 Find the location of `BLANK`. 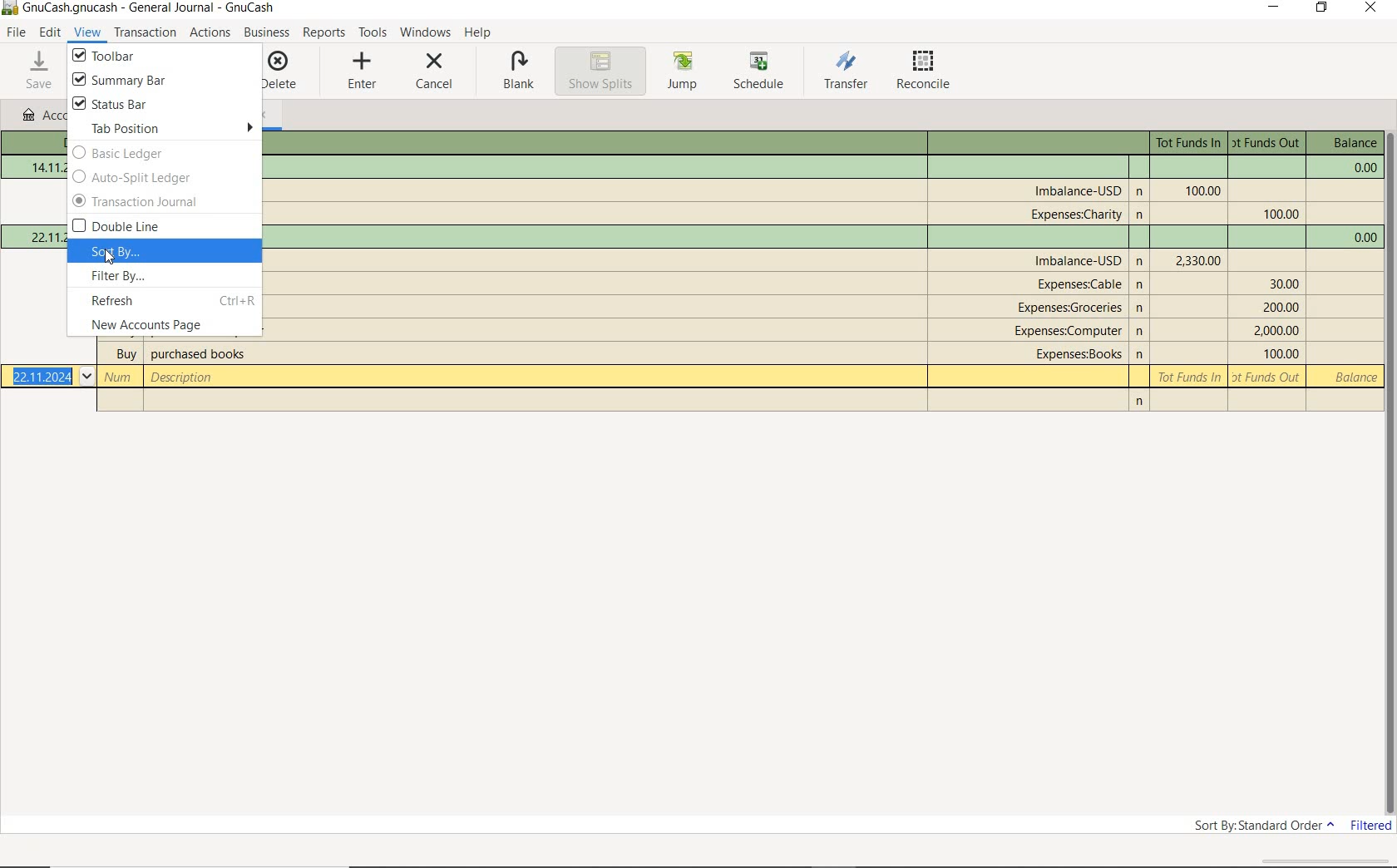

BLANK is located at coordinates (519, 72).